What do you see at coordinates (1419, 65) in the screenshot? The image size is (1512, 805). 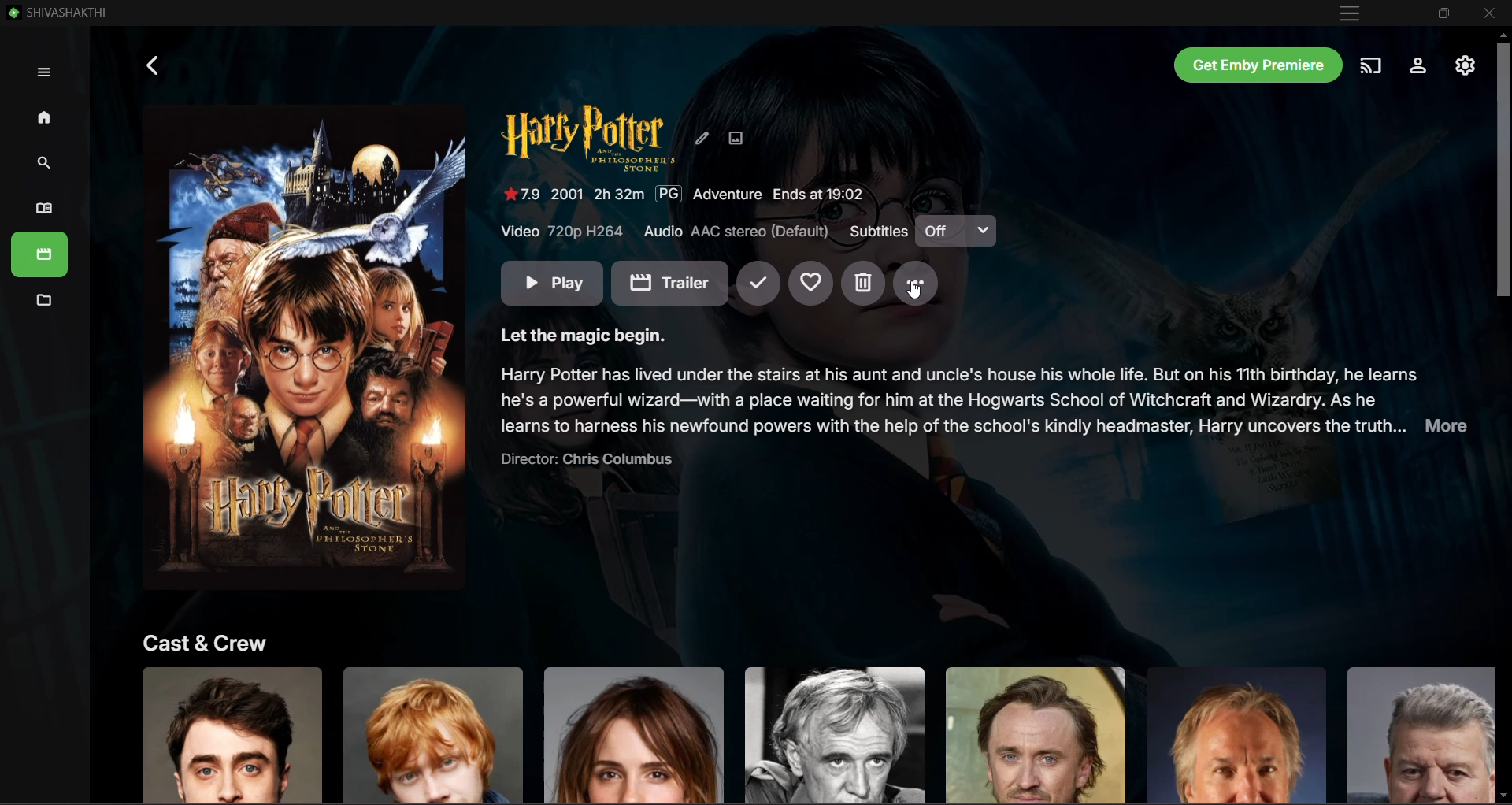 I see `Settings` at bounding box center [1419, 65].